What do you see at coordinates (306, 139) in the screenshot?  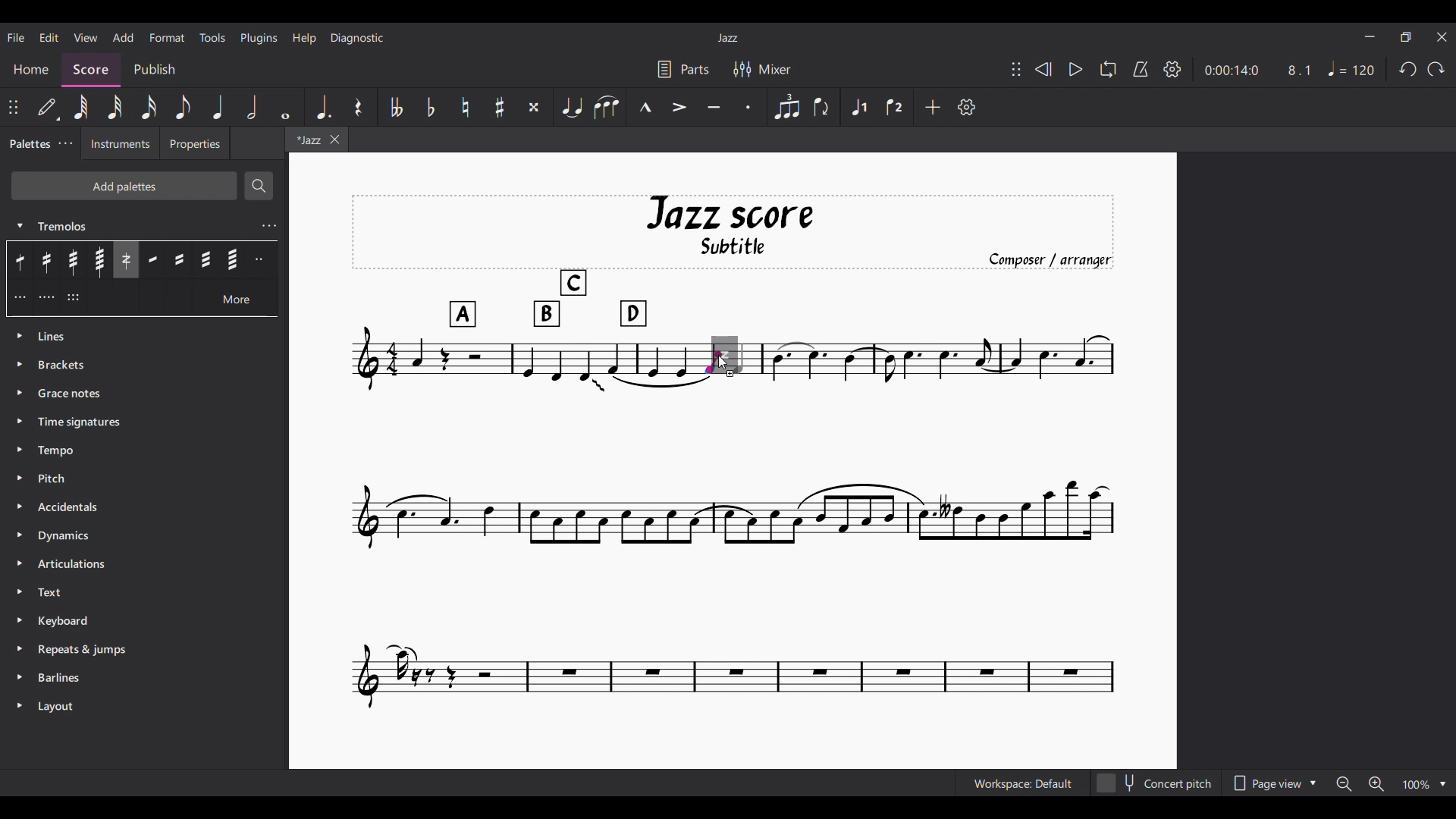 I see `*Jazz` at bounding box center [306, 139].